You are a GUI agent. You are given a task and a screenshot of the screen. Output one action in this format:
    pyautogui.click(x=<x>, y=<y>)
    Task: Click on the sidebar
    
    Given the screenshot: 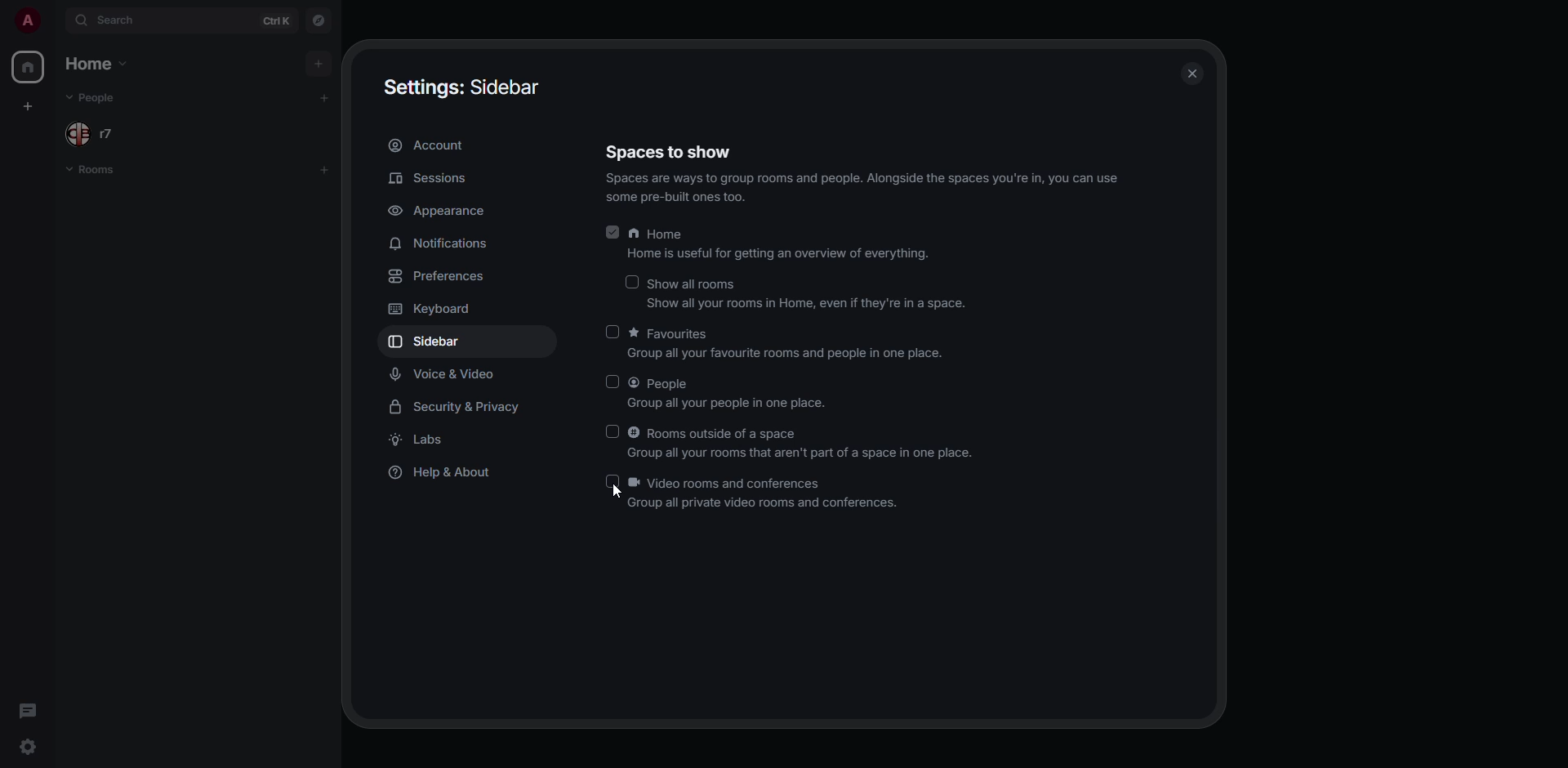 What is the action you would take?
    pyautogui.click(x=438, y=342)
    